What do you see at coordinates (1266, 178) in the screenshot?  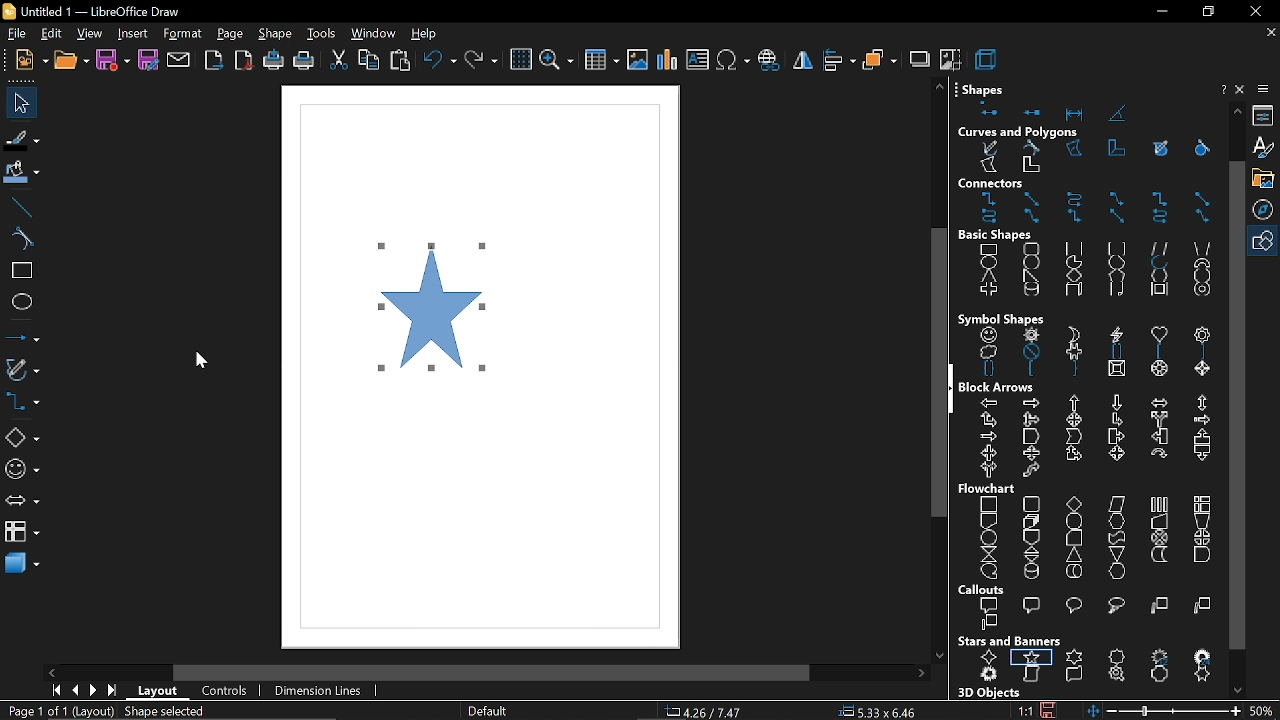 I see `gallery` at bounding box center [1266, 178].